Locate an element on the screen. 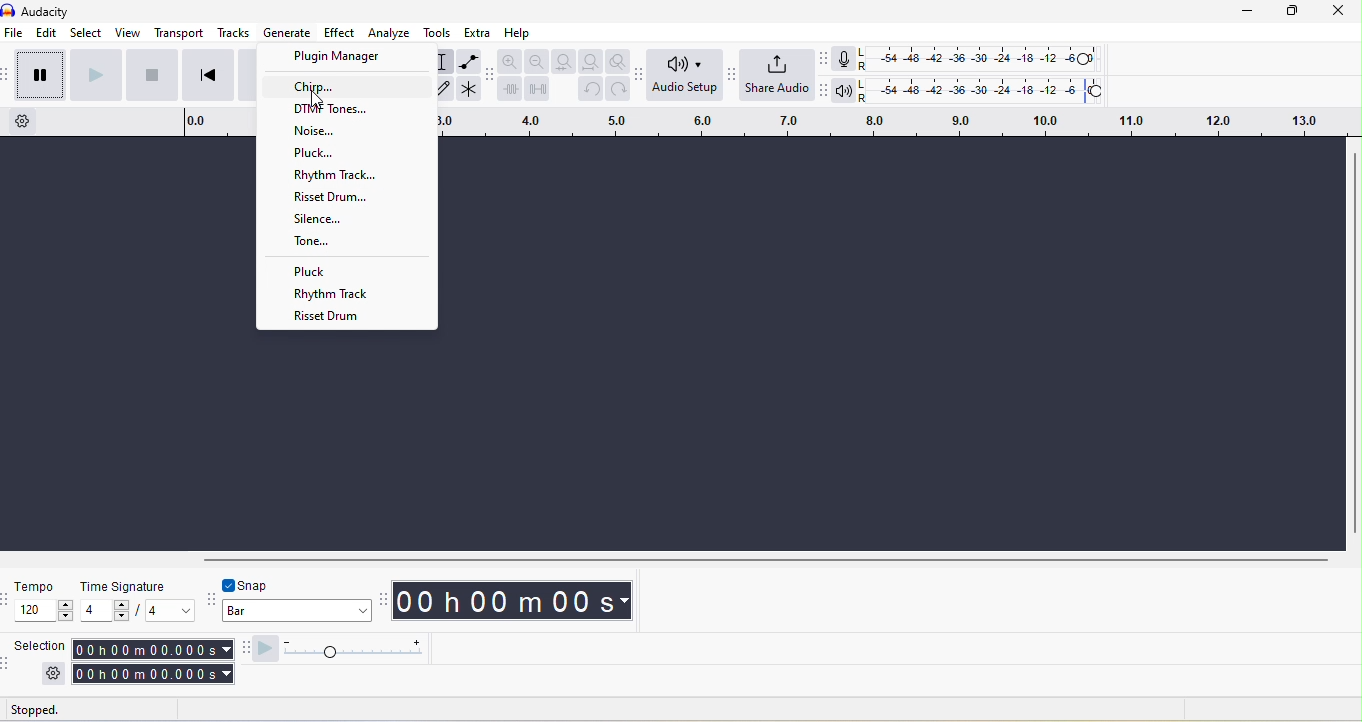  skip to start is located at coordinates (205, 76).